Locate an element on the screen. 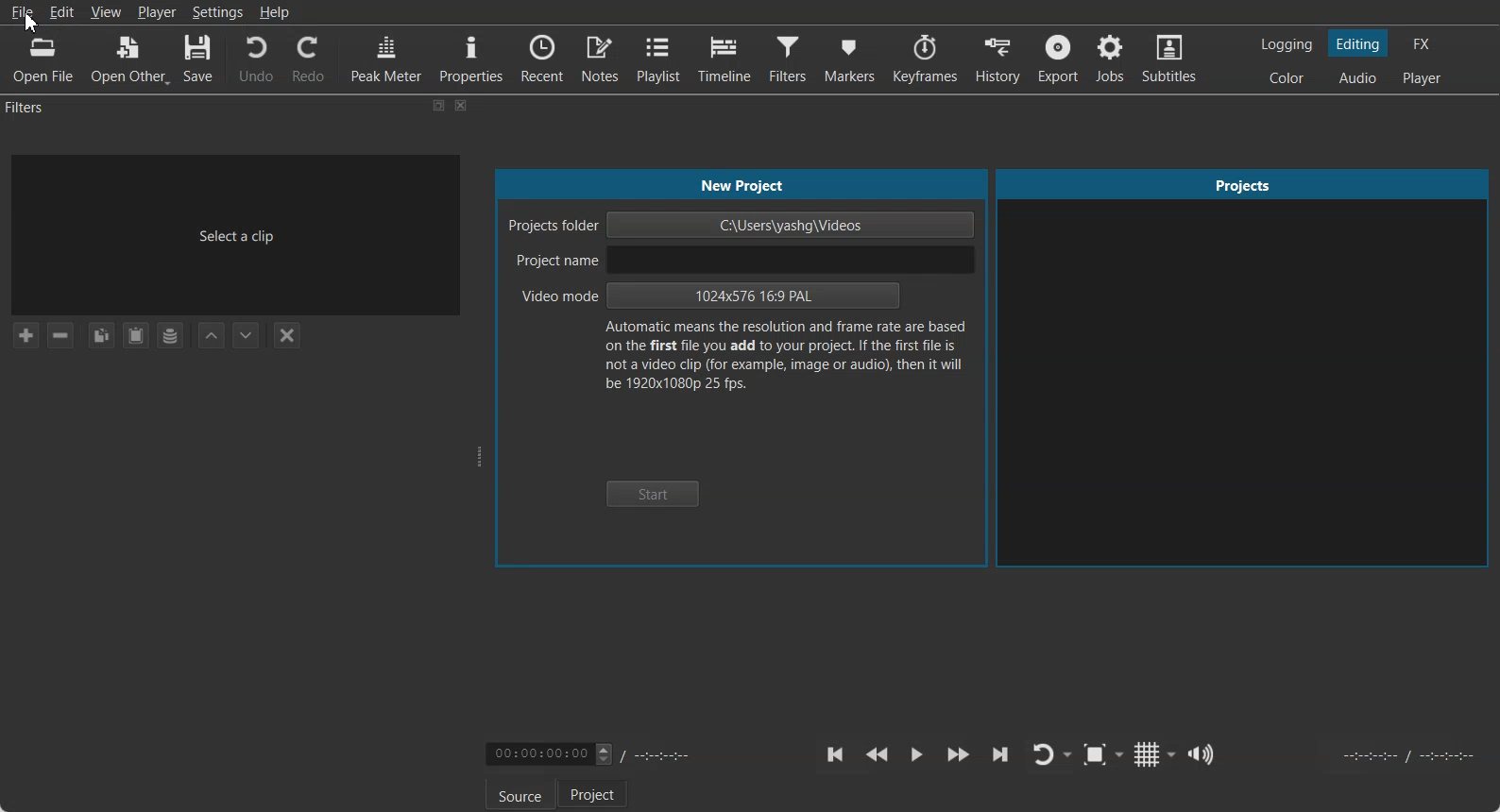  Text is located at coordinates (744, 186).